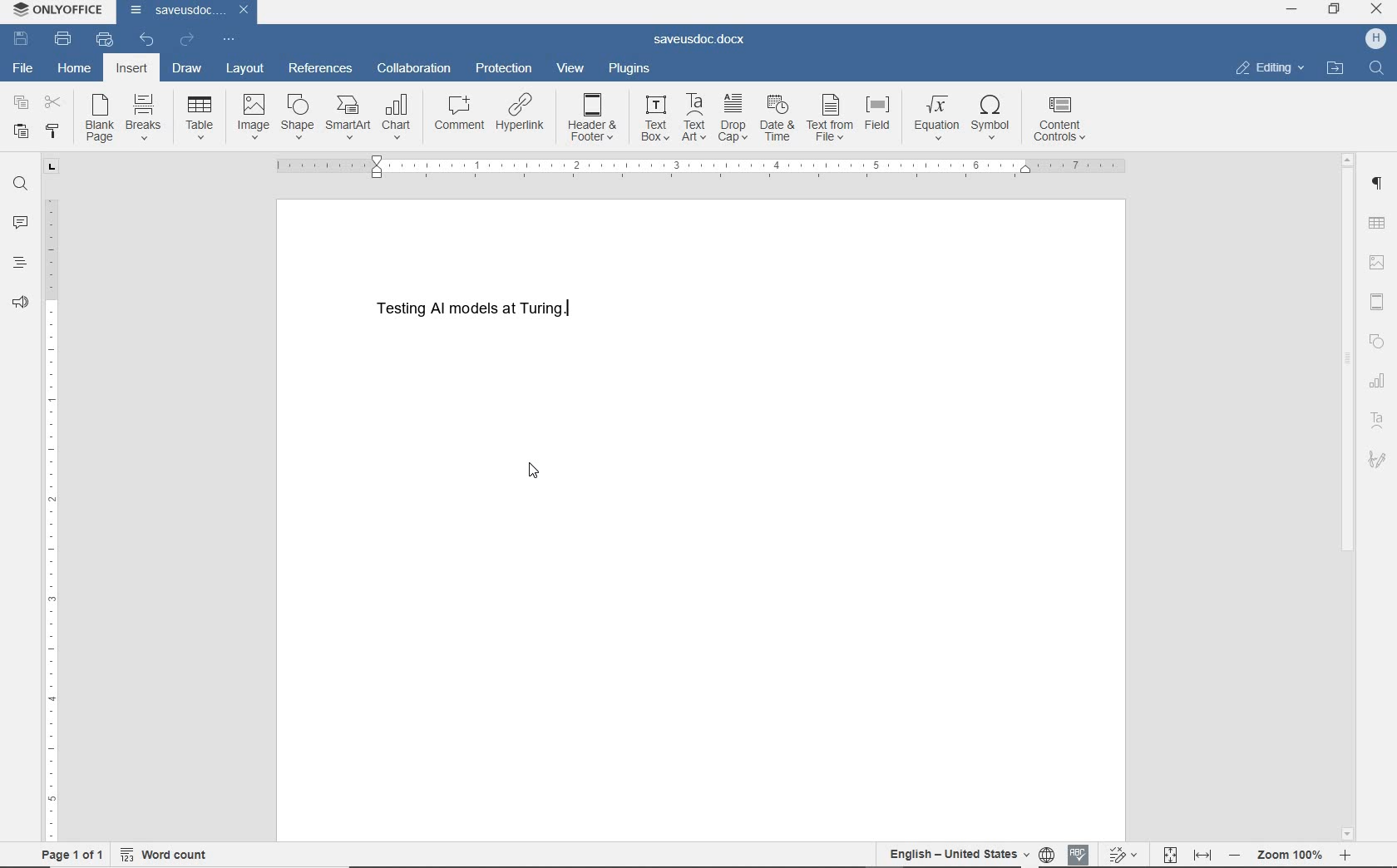 Image resolution: width=1397 pixels, height=868 pixels. What do you see at coordinates (1336, 70) in the screenshot?
I see `open file location` at bounding box center [1336, 70].